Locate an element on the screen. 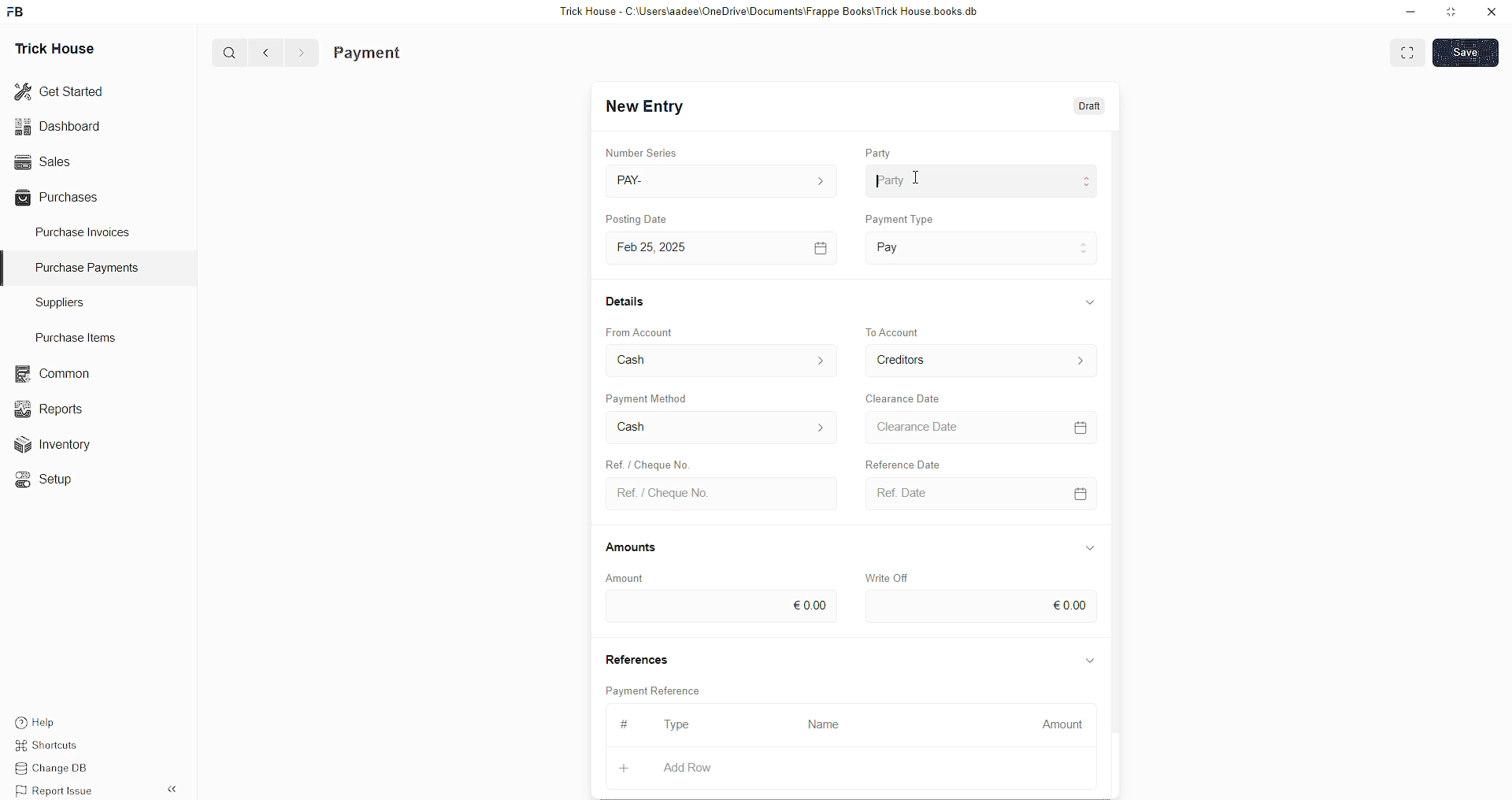 The image size is (1512, 800). Trick House is located at coordinates (50, 47).